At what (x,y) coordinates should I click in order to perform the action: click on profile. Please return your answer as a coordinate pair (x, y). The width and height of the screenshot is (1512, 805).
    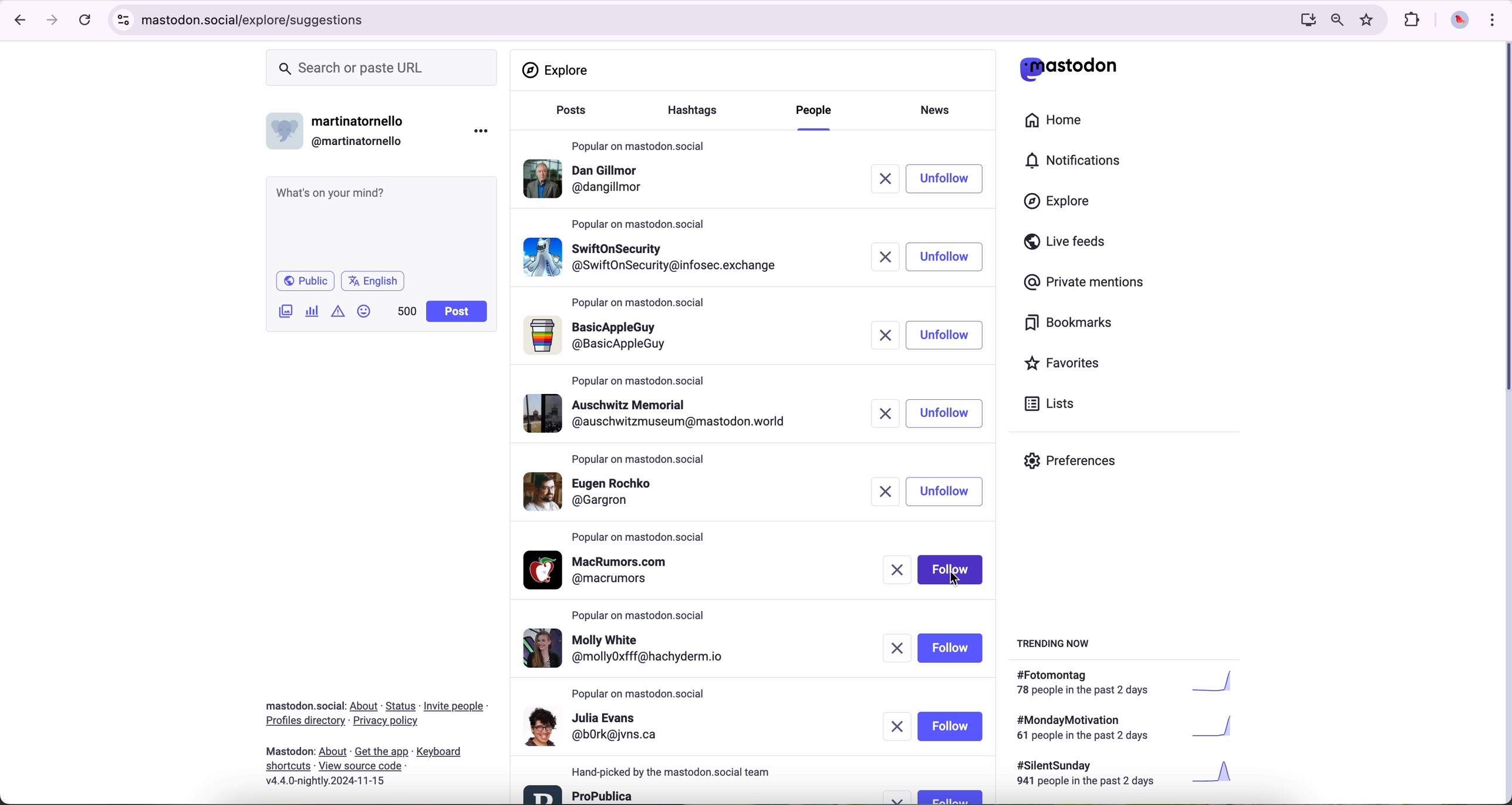
    Looking at the image, I should click on (604, 570).